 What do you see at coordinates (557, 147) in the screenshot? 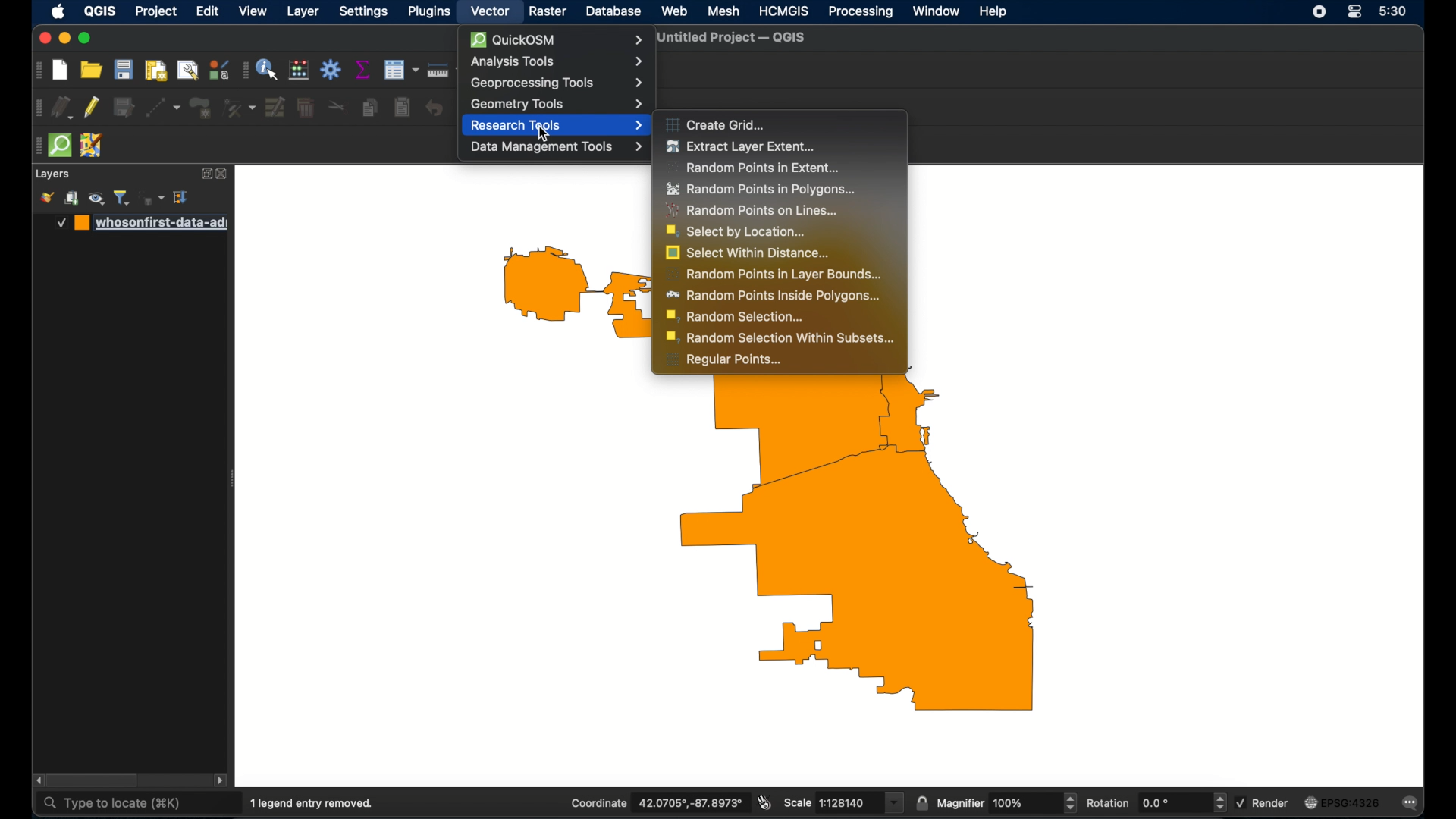
I see `data  management tools menu` at bounding box center [557, 147].